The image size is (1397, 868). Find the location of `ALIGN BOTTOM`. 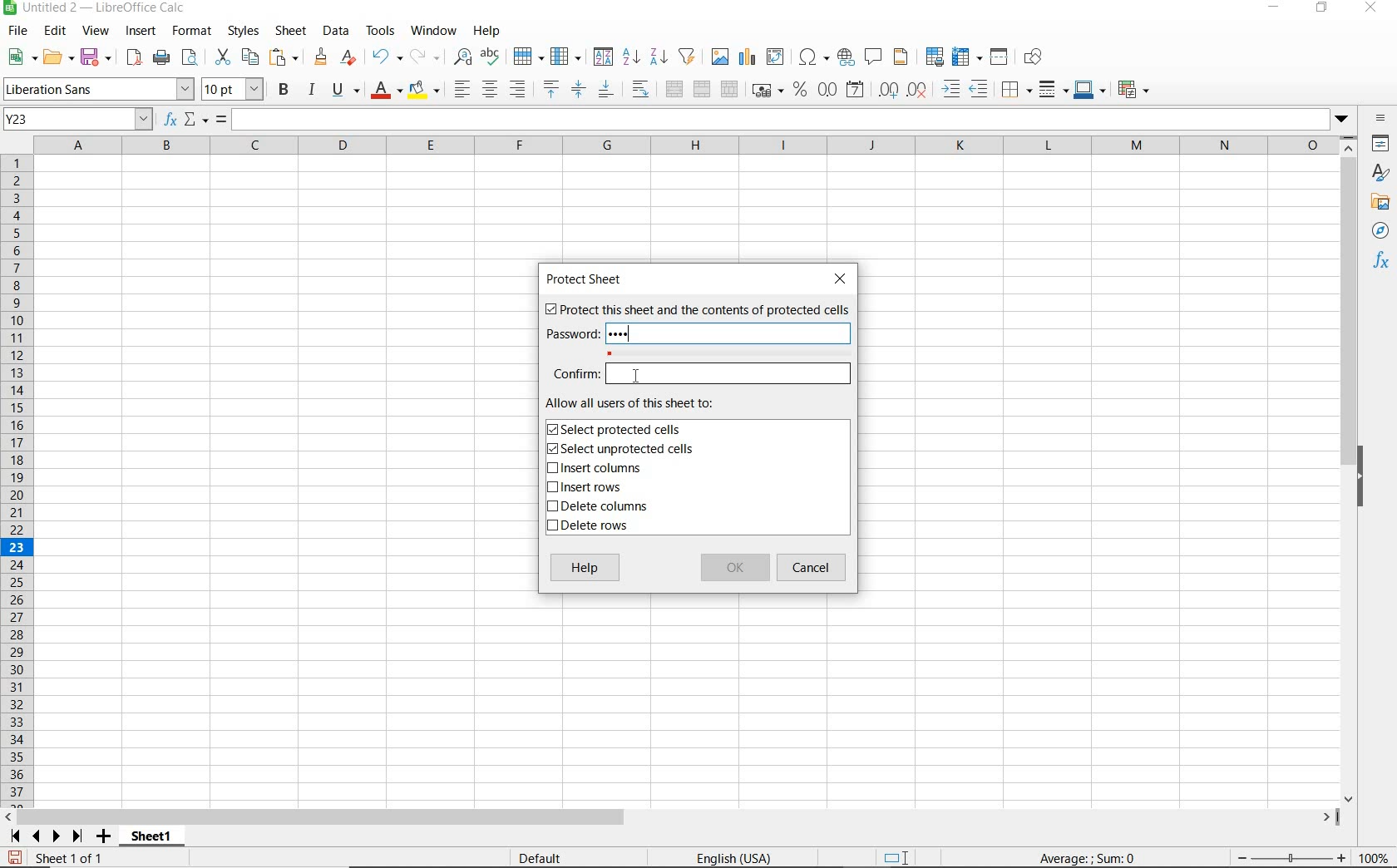

ALIGN BOTTOM is located at coordinates (605, 91).